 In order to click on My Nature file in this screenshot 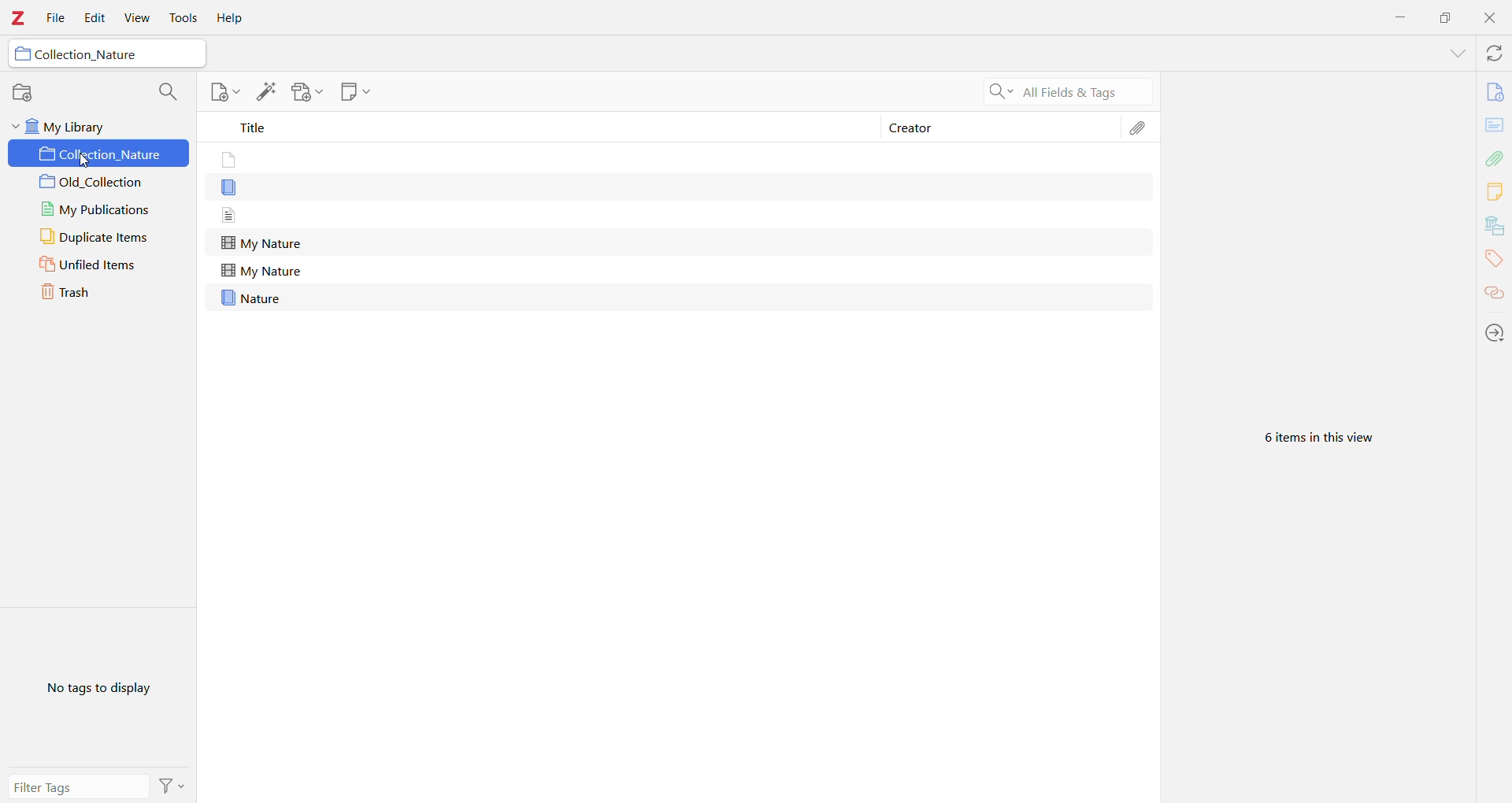, I will do `click(261, 270)`.